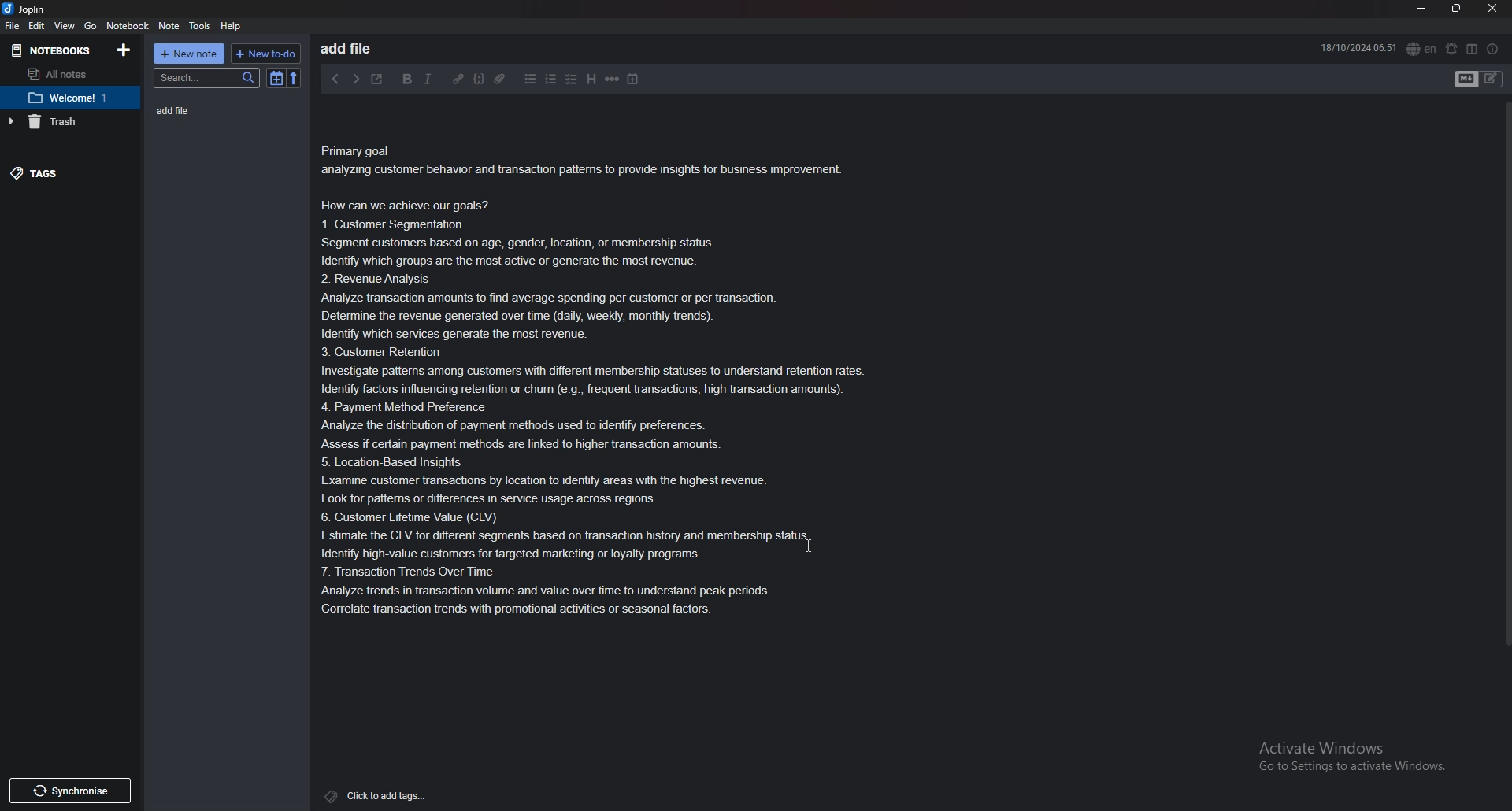 The width and height of the screenshot is (1512, 811). I want to click on Set language, so click(1420, 50).